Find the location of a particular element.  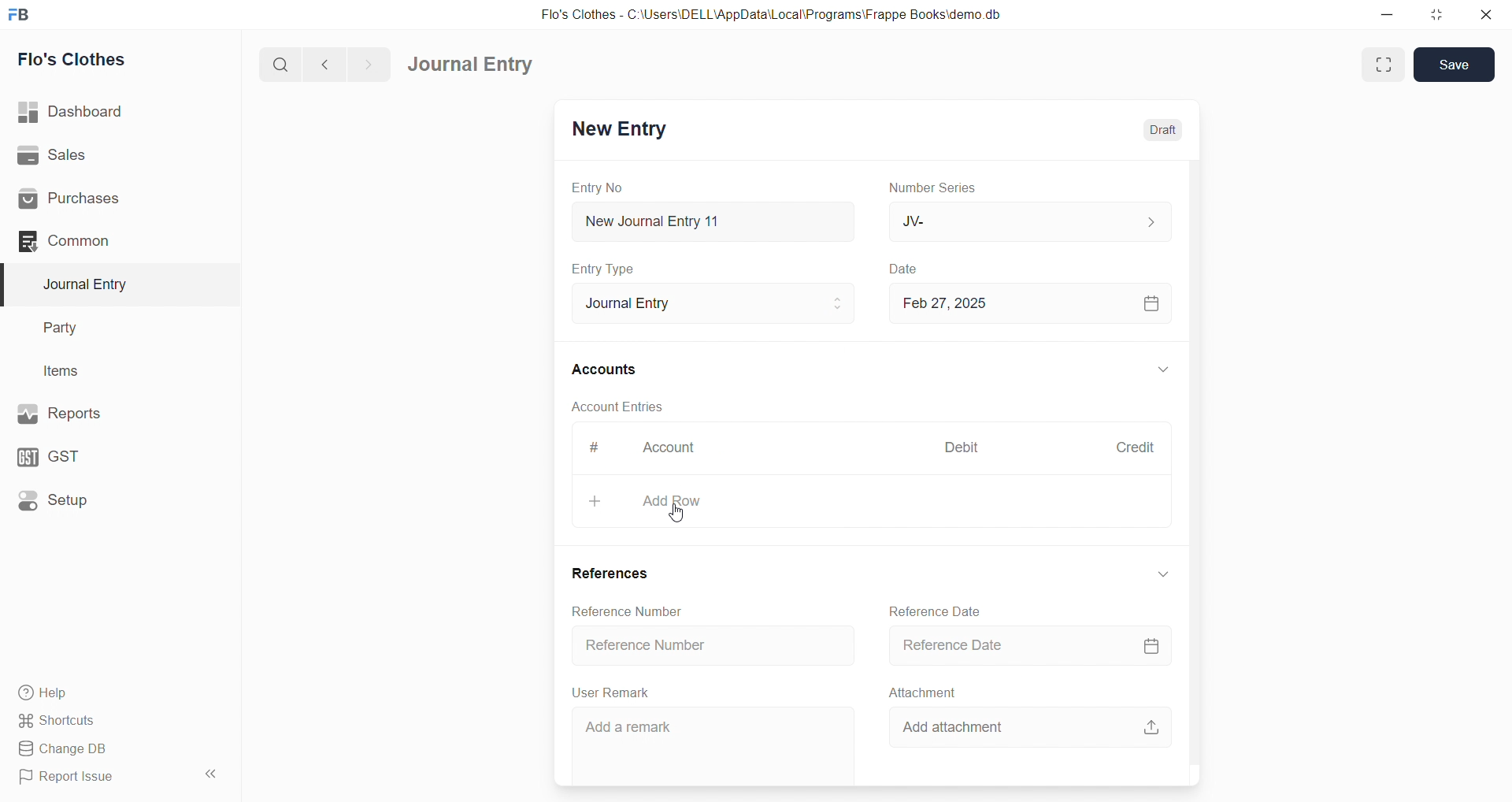

Debit is located at coordinates (965, 446).